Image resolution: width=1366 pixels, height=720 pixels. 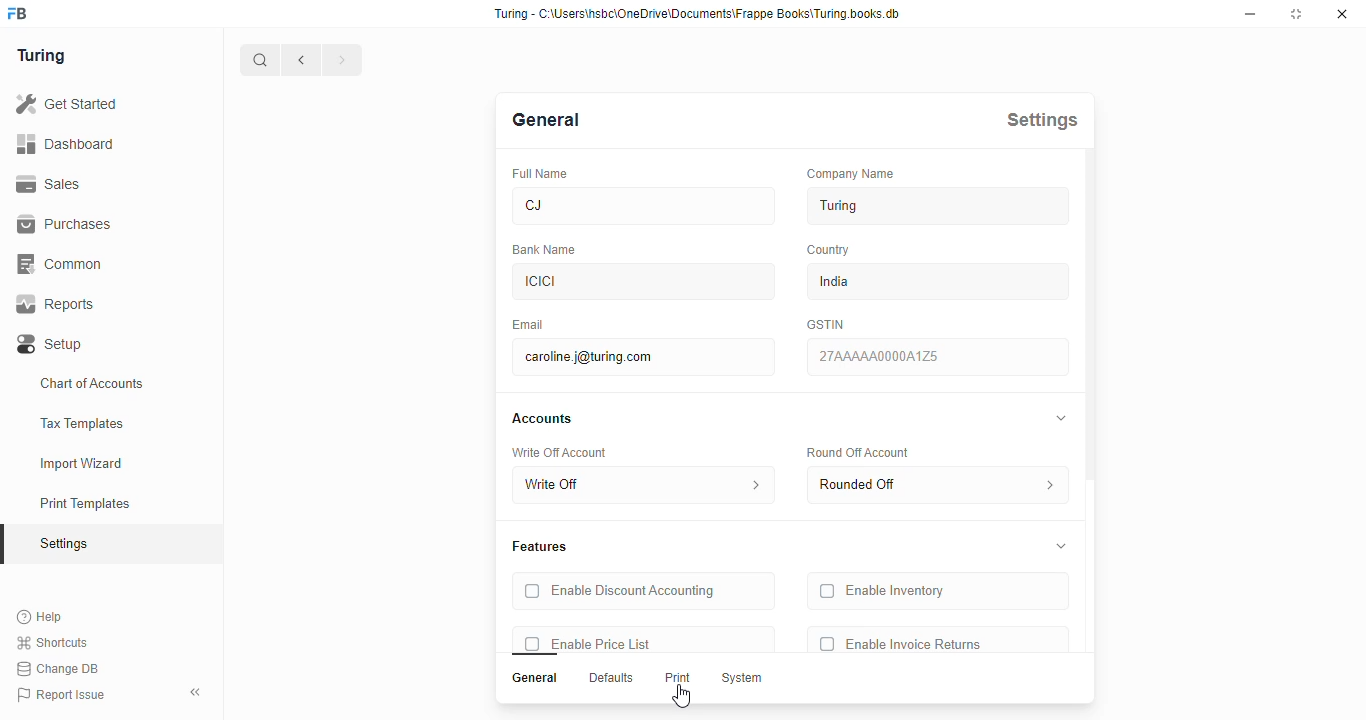 What do you see at coordinates (826, 325) in the screenshot?
I see `GSTIN` at bounding box center [826, 325].